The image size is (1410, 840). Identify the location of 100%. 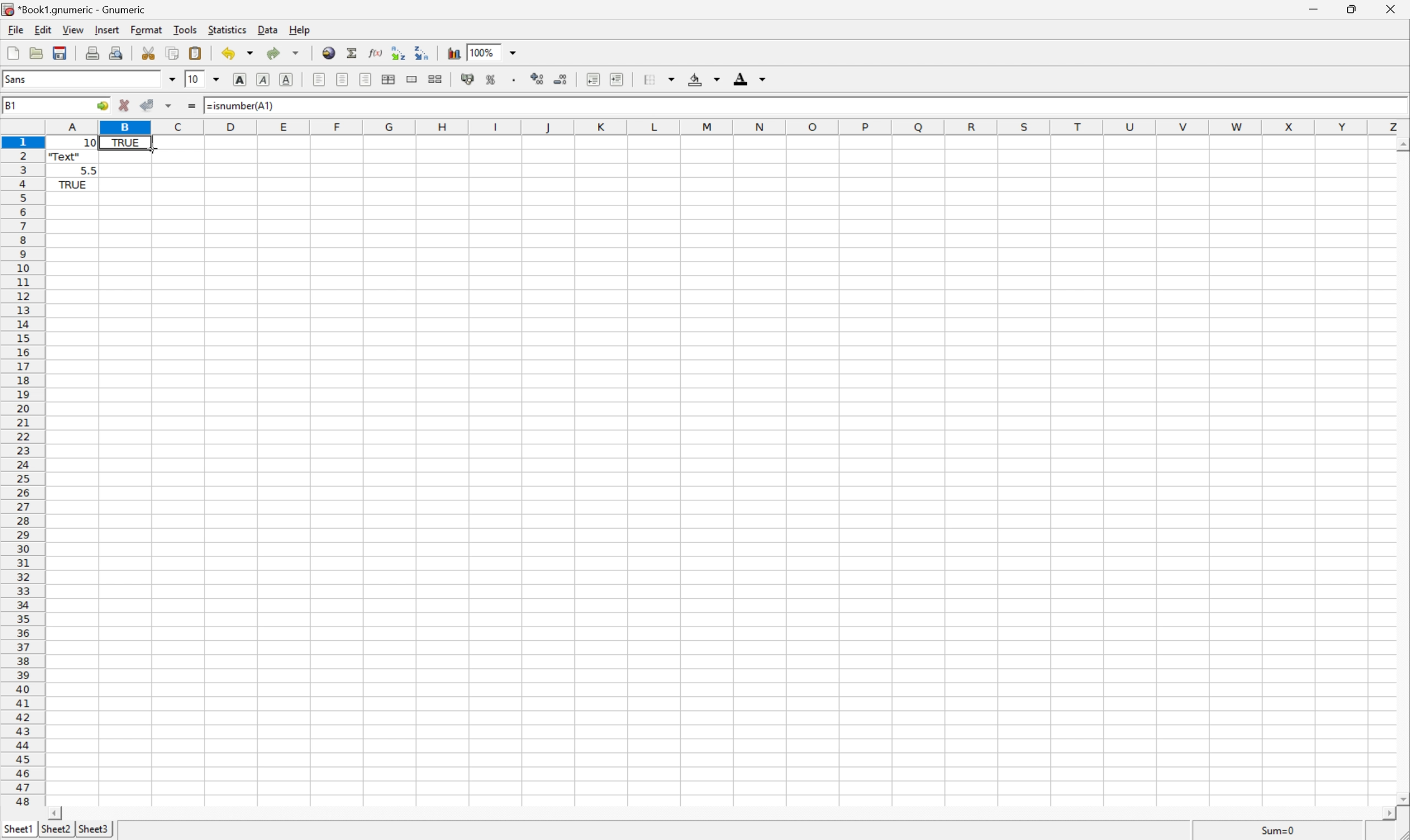
(484, 52).